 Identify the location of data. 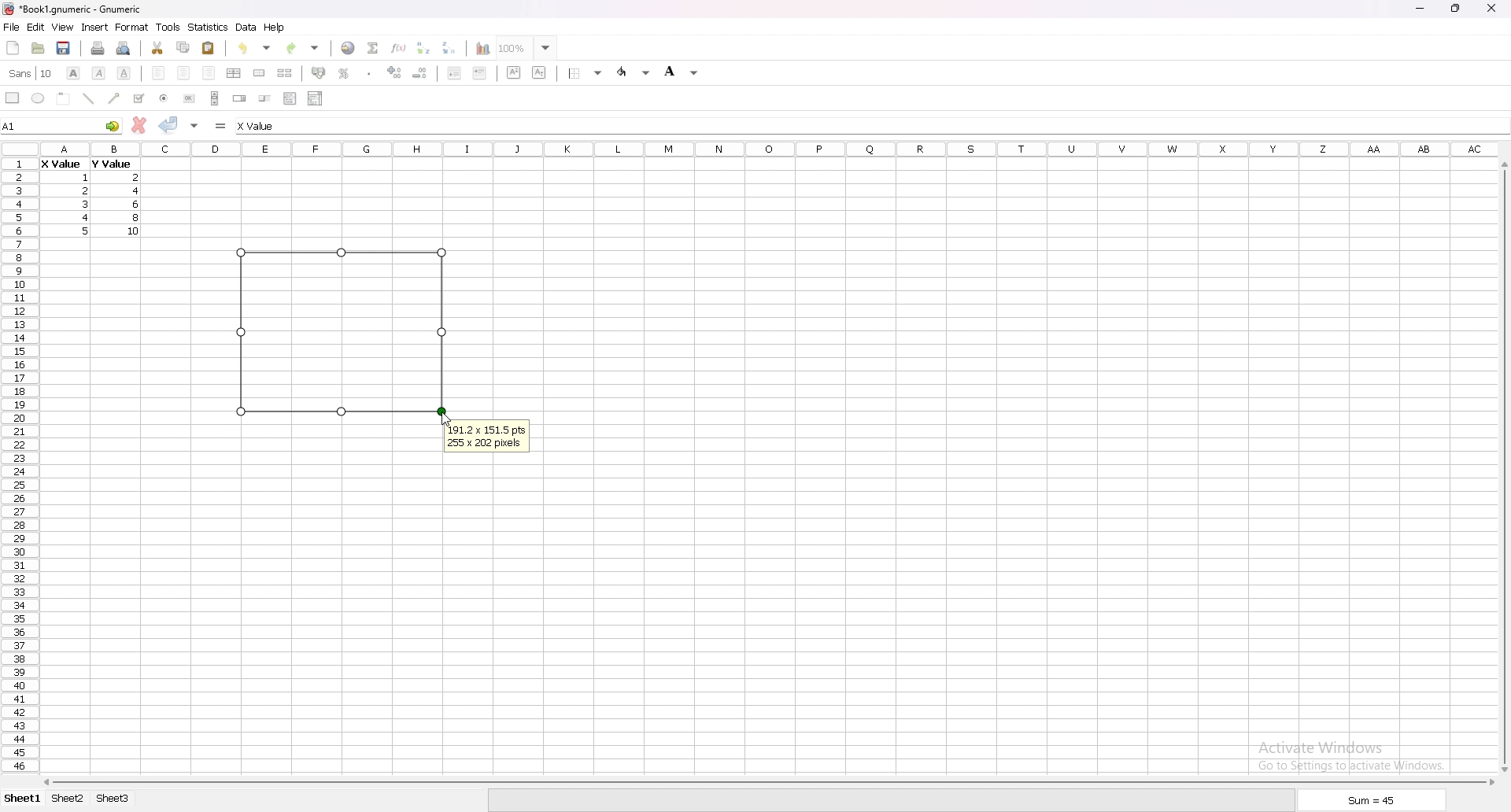
(246, 27).